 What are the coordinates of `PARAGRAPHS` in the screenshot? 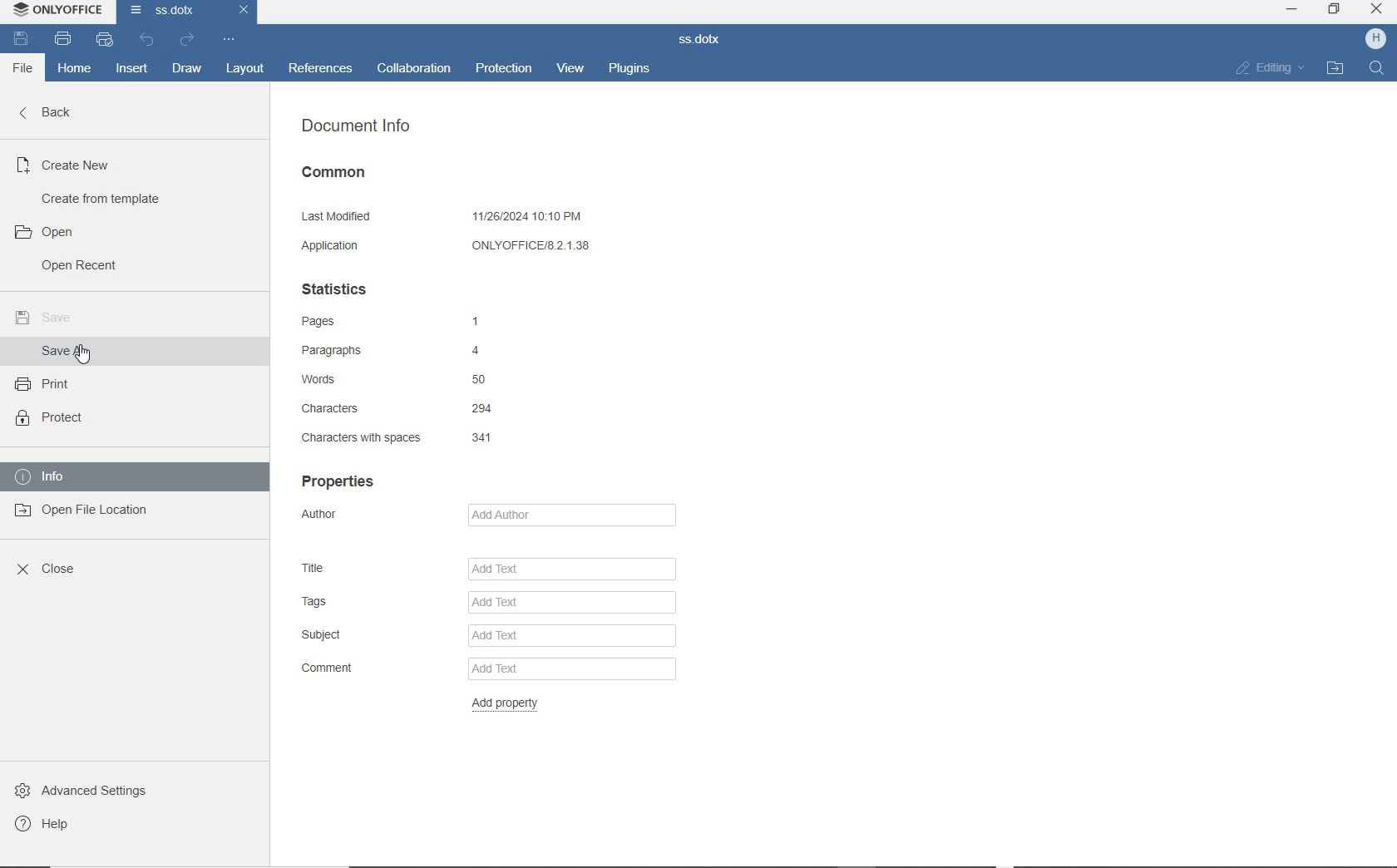 It's located at (397, 350).